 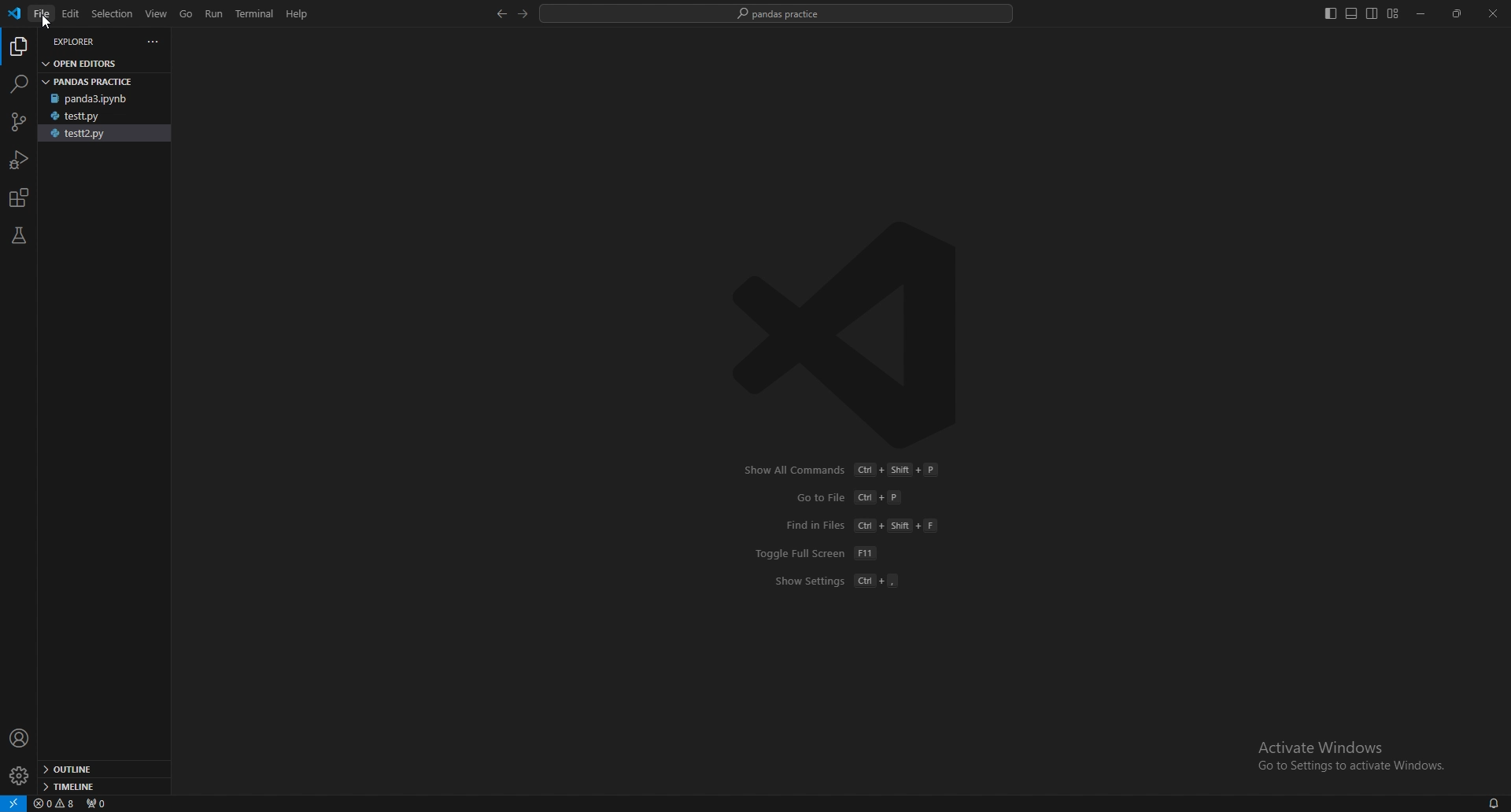 What do you see at coordinates (99, 62) in the screenshot?
I see `open editors` at bounding box center [99, 62].